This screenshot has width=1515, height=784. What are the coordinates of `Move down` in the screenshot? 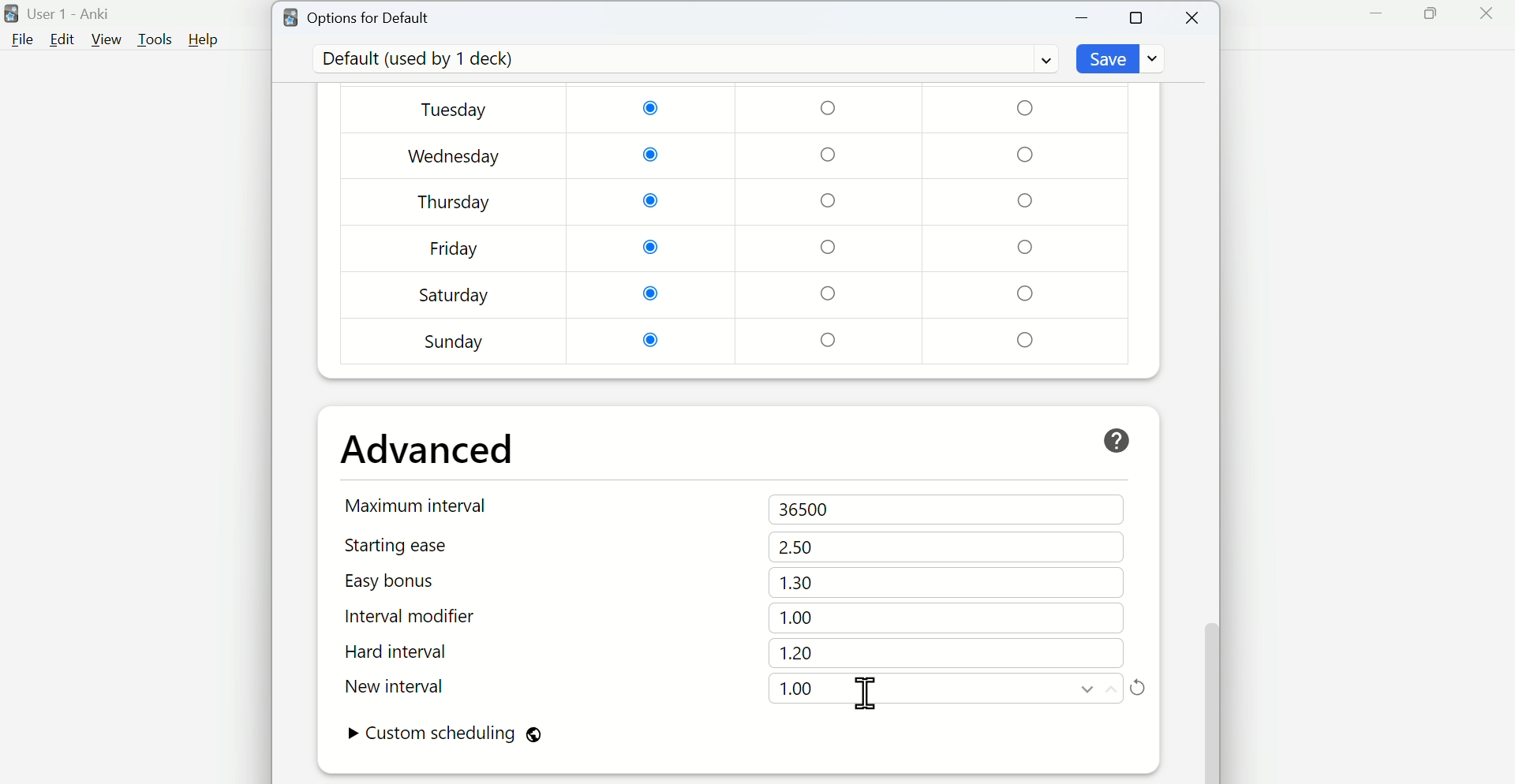 It's located at (1088, 689).